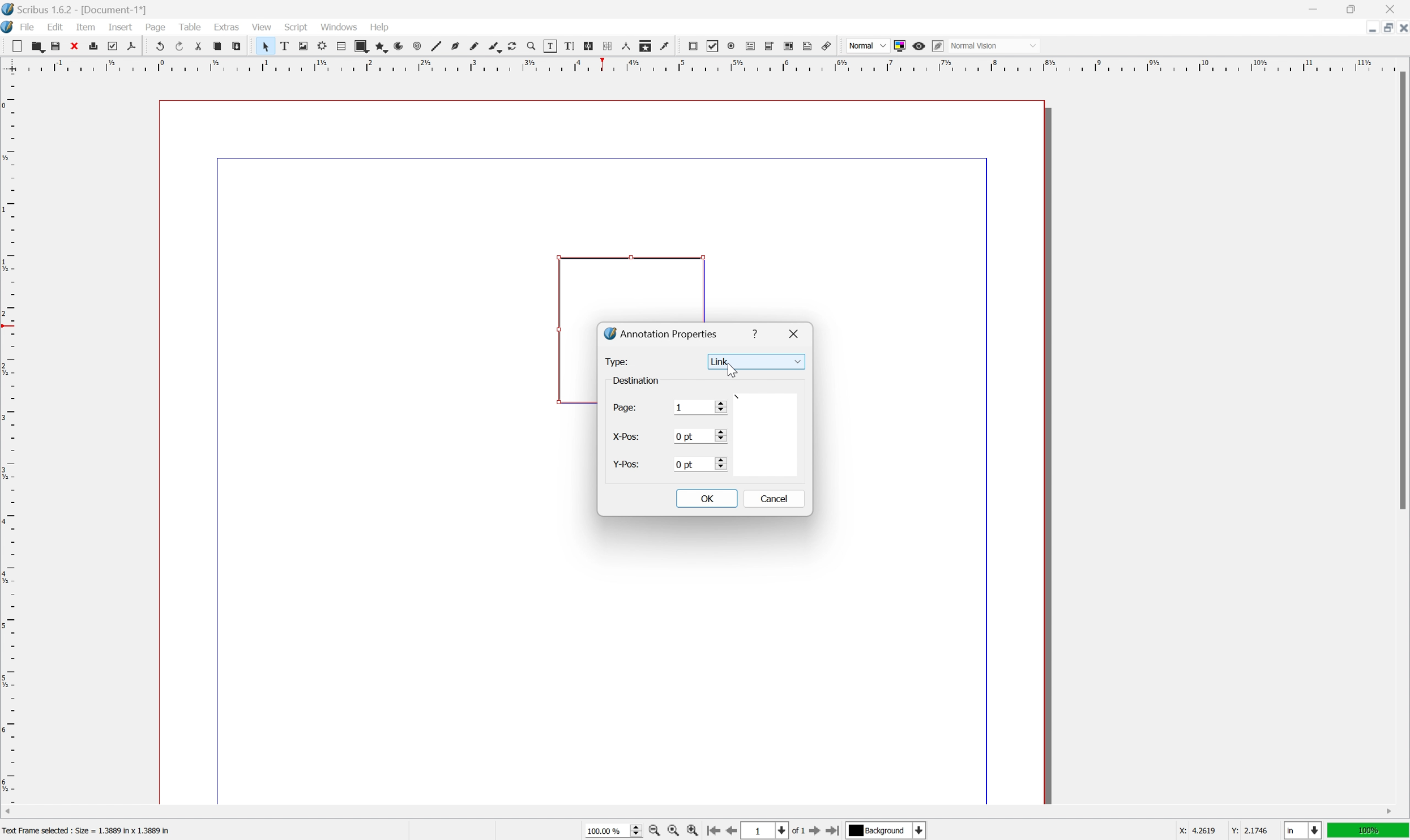 This screenshot has width=1410, height=840. Describe the element at coordinates (39, 46) in the screenshot. I see `open` at that location.